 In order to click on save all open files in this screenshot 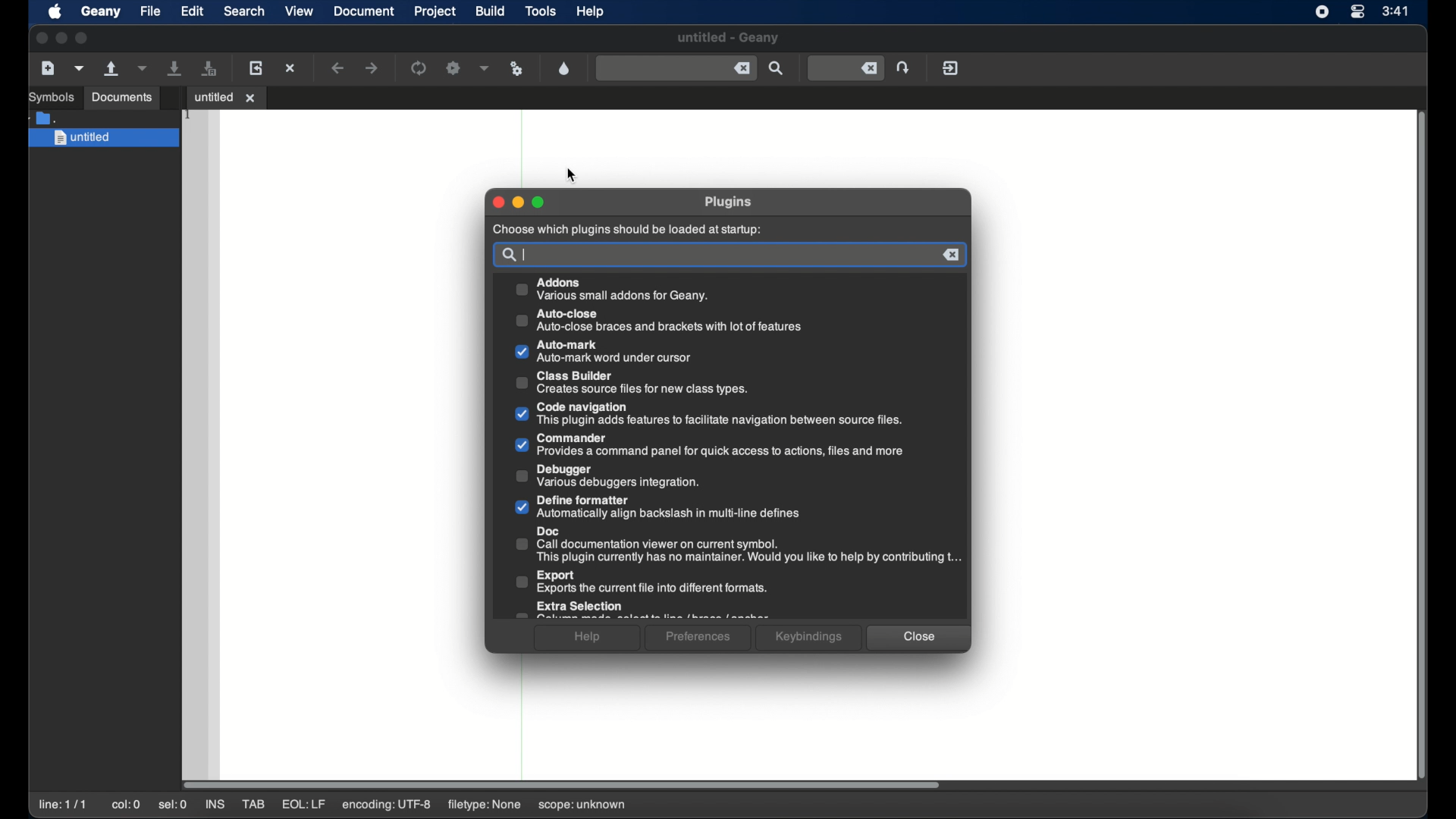, I will do `click(211, 68)`.